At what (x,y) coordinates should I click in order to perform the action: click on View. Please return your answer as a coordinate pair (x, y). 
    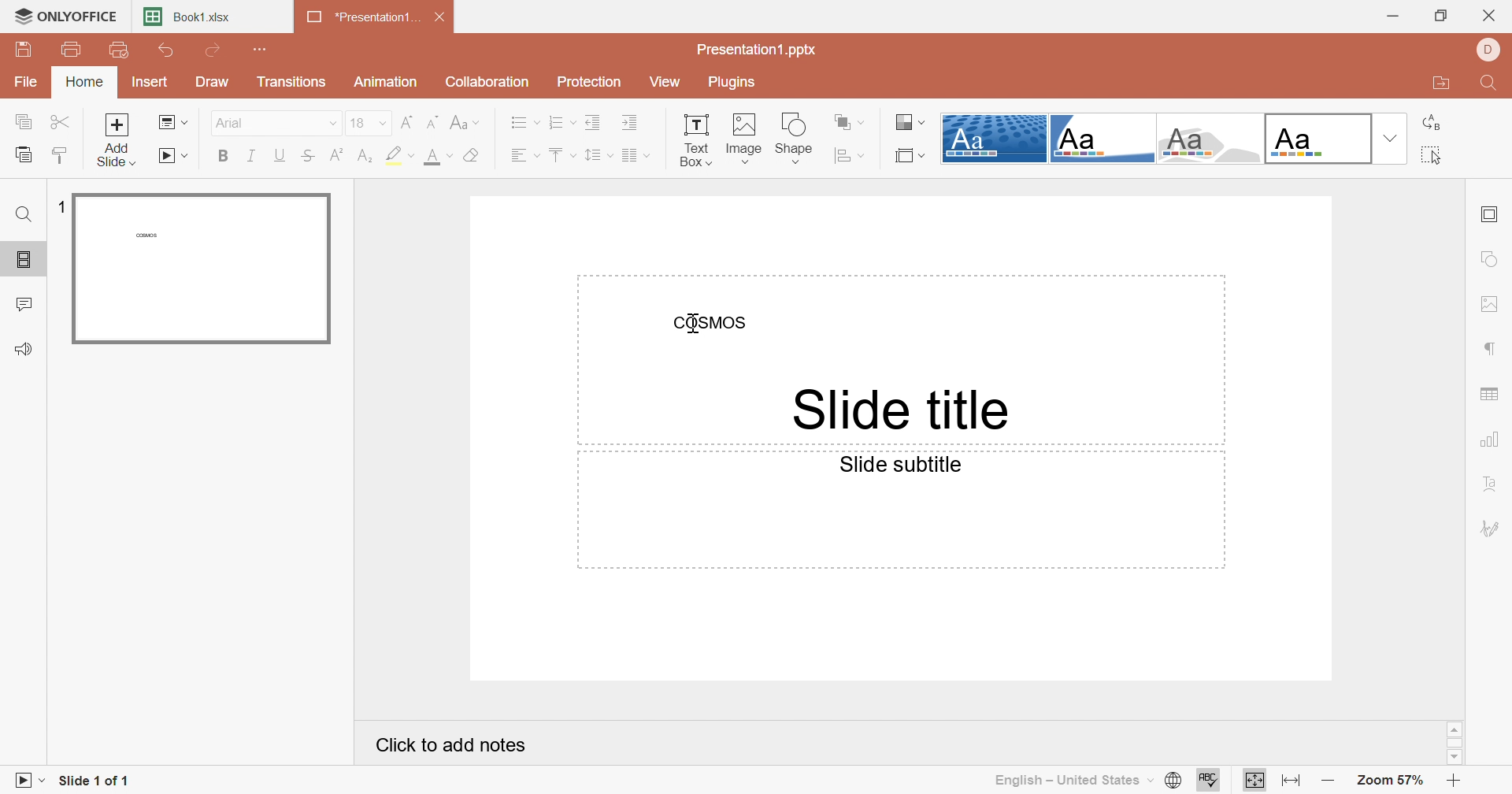
    Looking at the image, I should click on (662, 80).